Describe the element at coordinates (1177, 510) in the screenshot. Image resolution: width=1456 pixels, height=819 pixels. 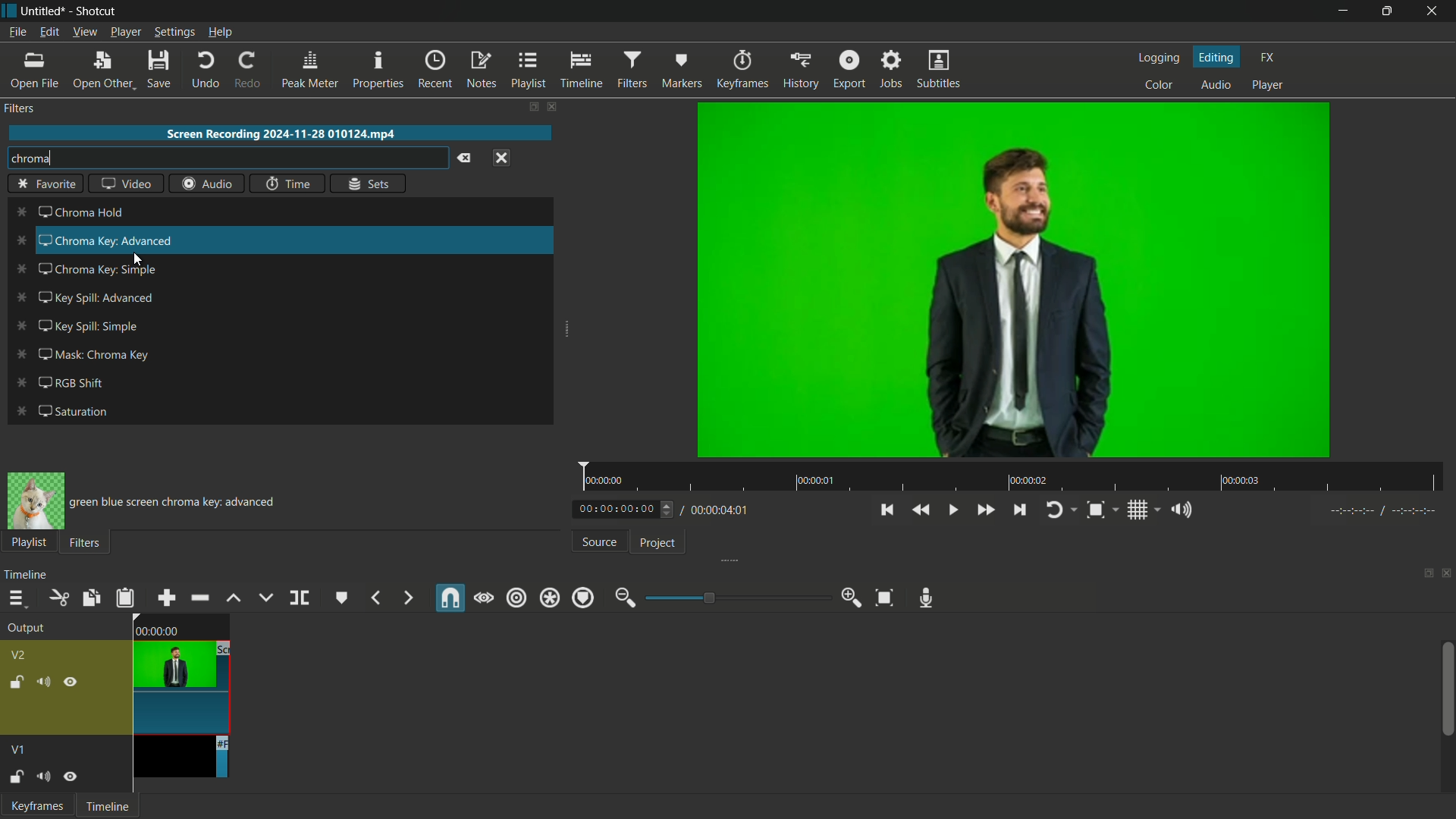
I see `show volume control` at that location.